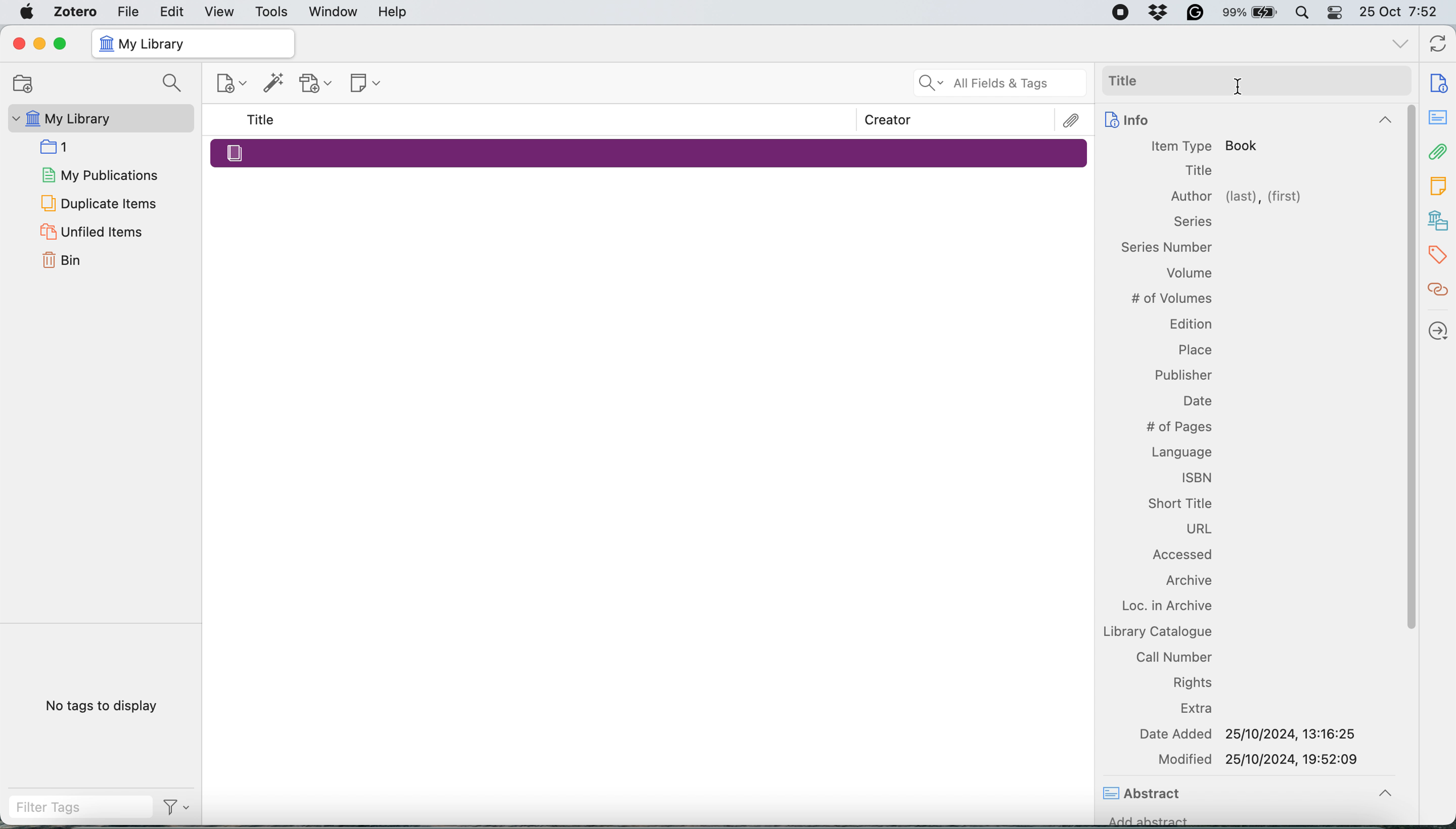  What do you see at coordinates (1156, 631) in the screenshot?
I see `Library Catalogue` at bounding box center [1156, 631].